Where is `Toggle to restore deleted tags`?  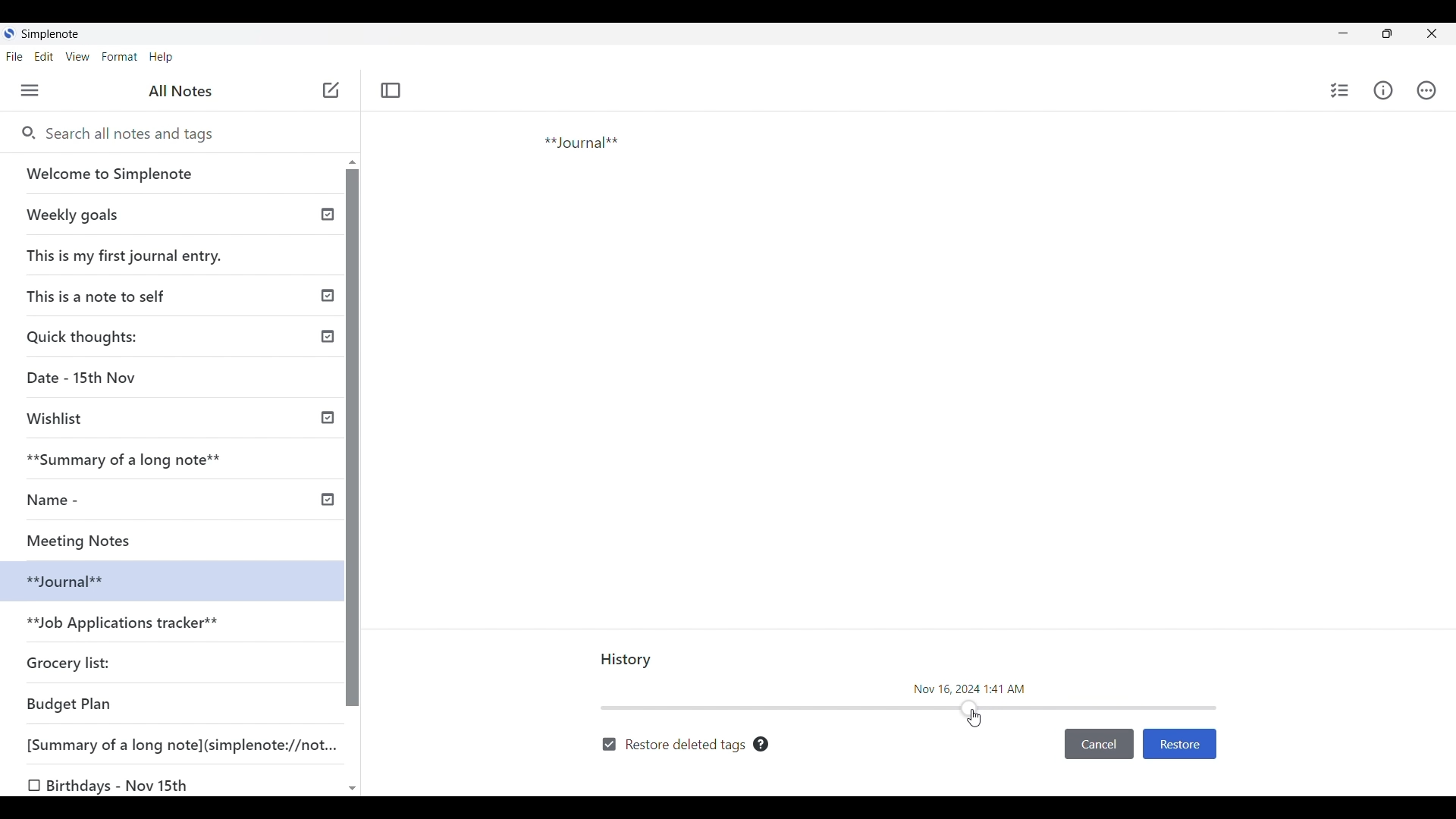
Toggle to restore deleted tags is located at coordinates (673, 745).